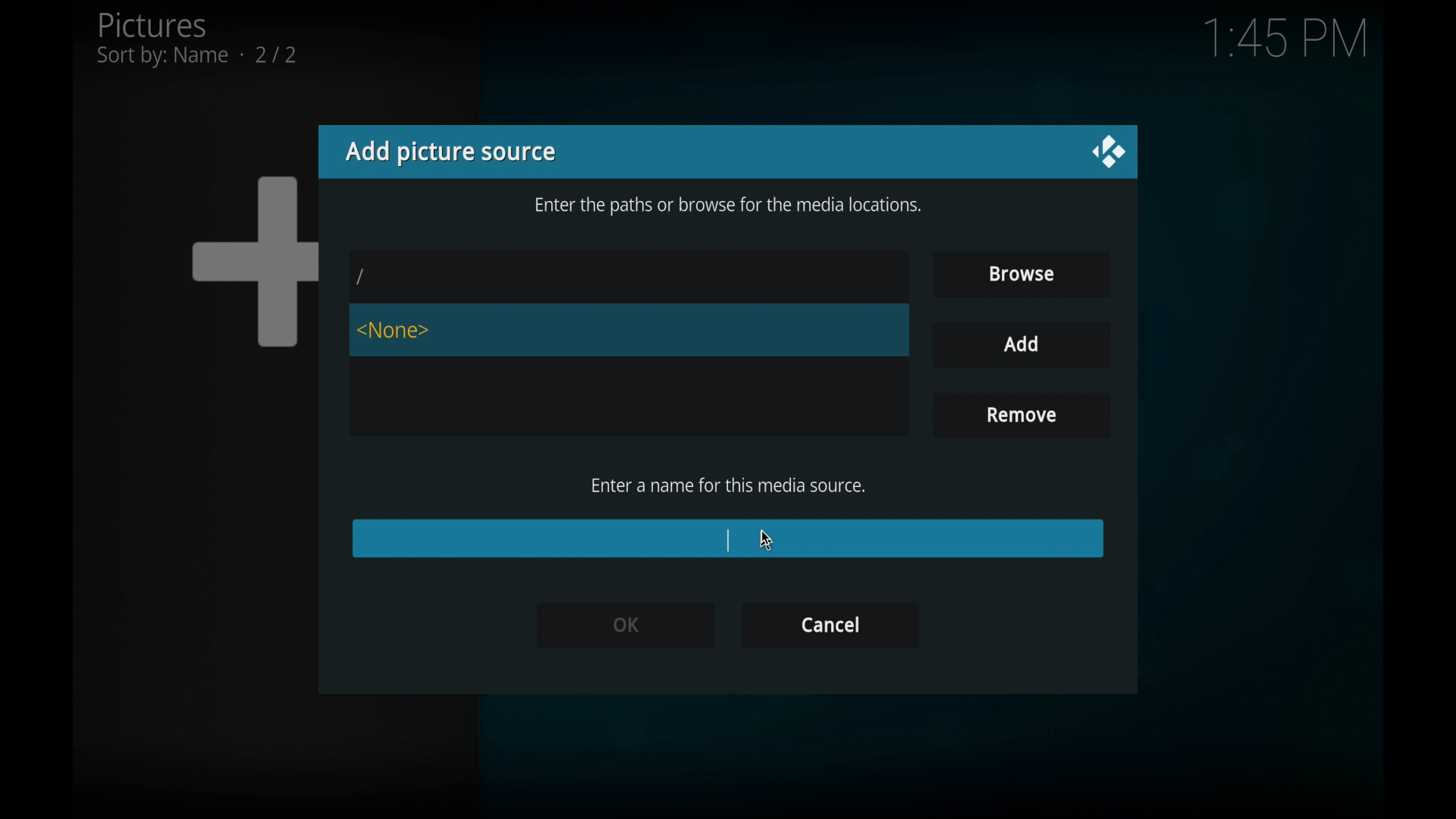 The image size is (1456, 819). I want to click on enter a name for this media source, so click(728, 485).